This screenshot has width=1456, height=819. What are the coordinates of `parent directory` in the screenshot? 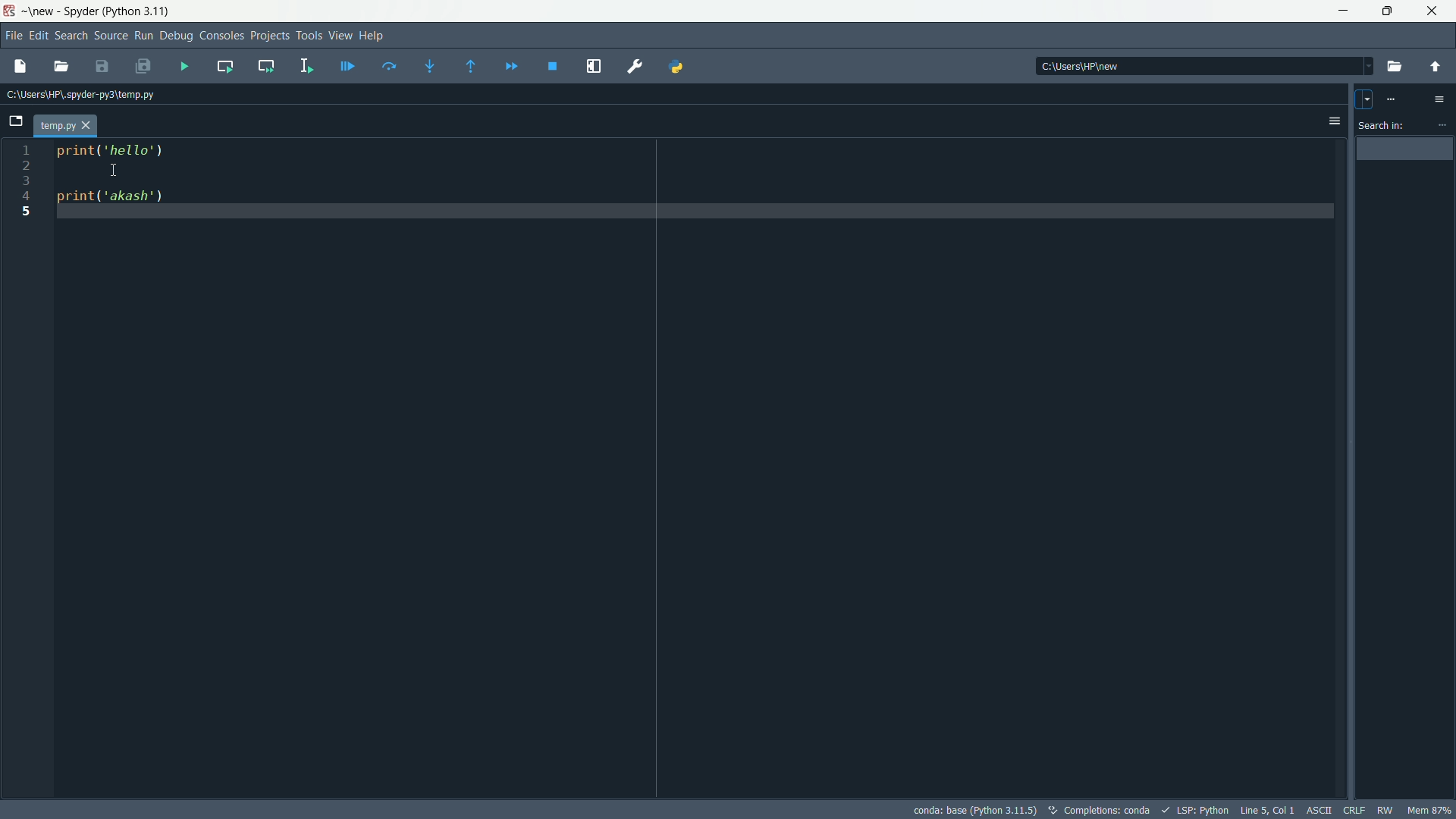 It's located at (1434, 67).